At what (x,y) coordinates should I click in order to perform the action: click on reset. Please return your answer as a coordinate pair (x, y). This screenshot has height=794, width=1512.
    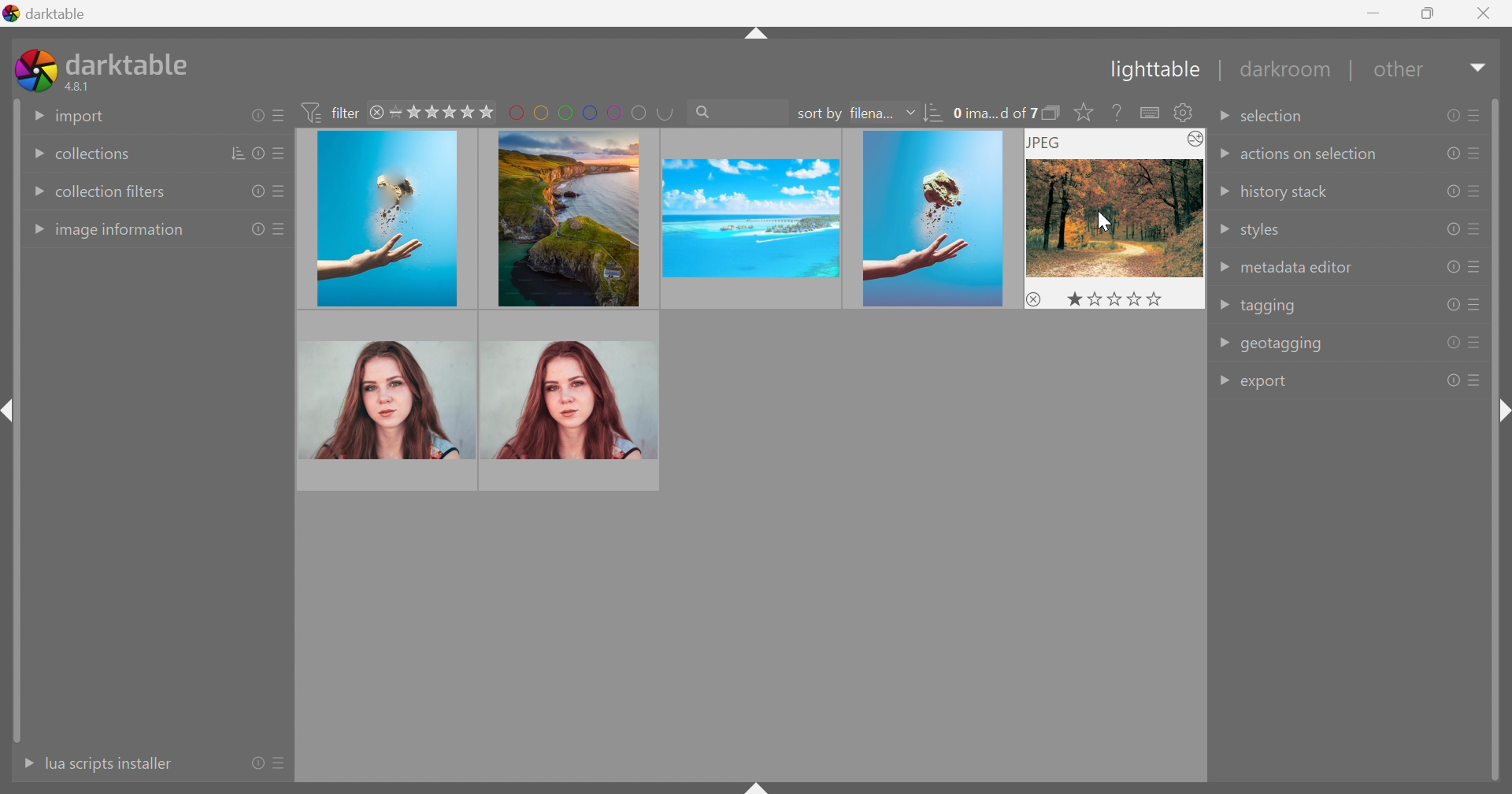
    Looking at the image, I should click on (256, 115).